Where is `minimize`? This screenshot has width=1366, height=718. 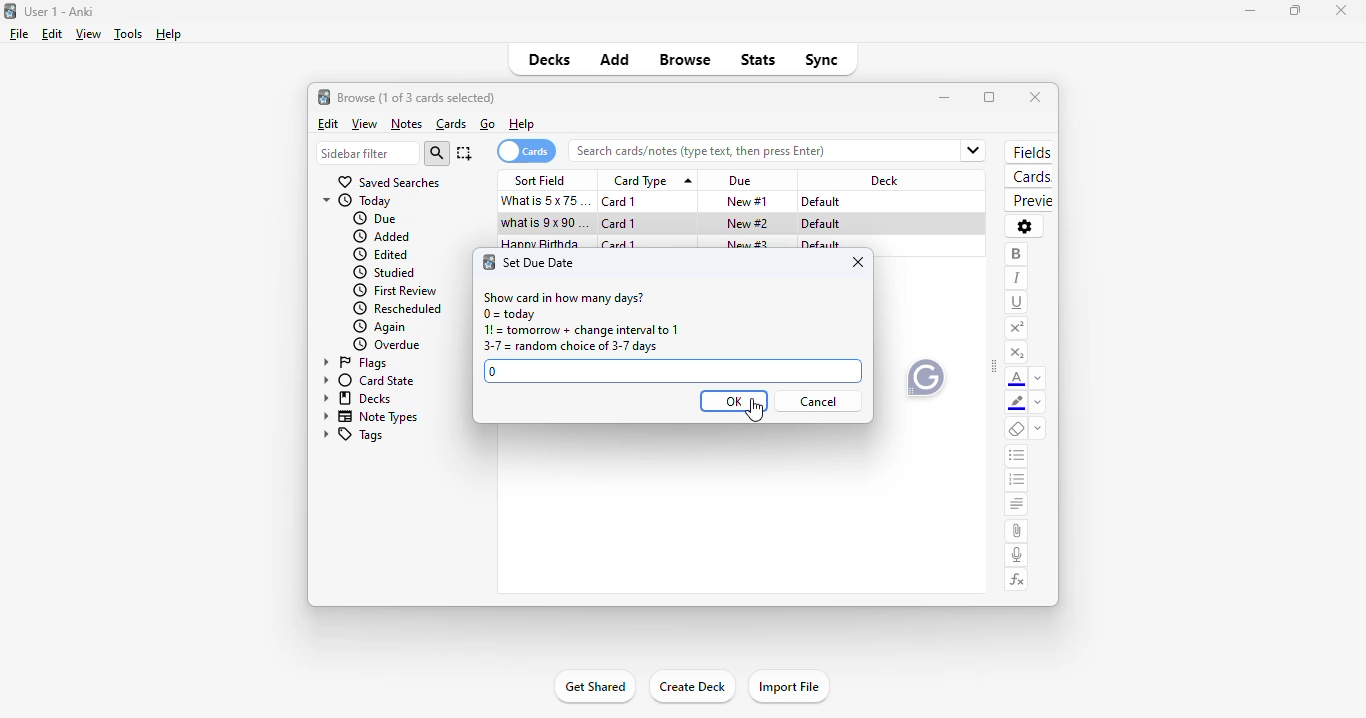 minimize is located at coordinates (946, 98).